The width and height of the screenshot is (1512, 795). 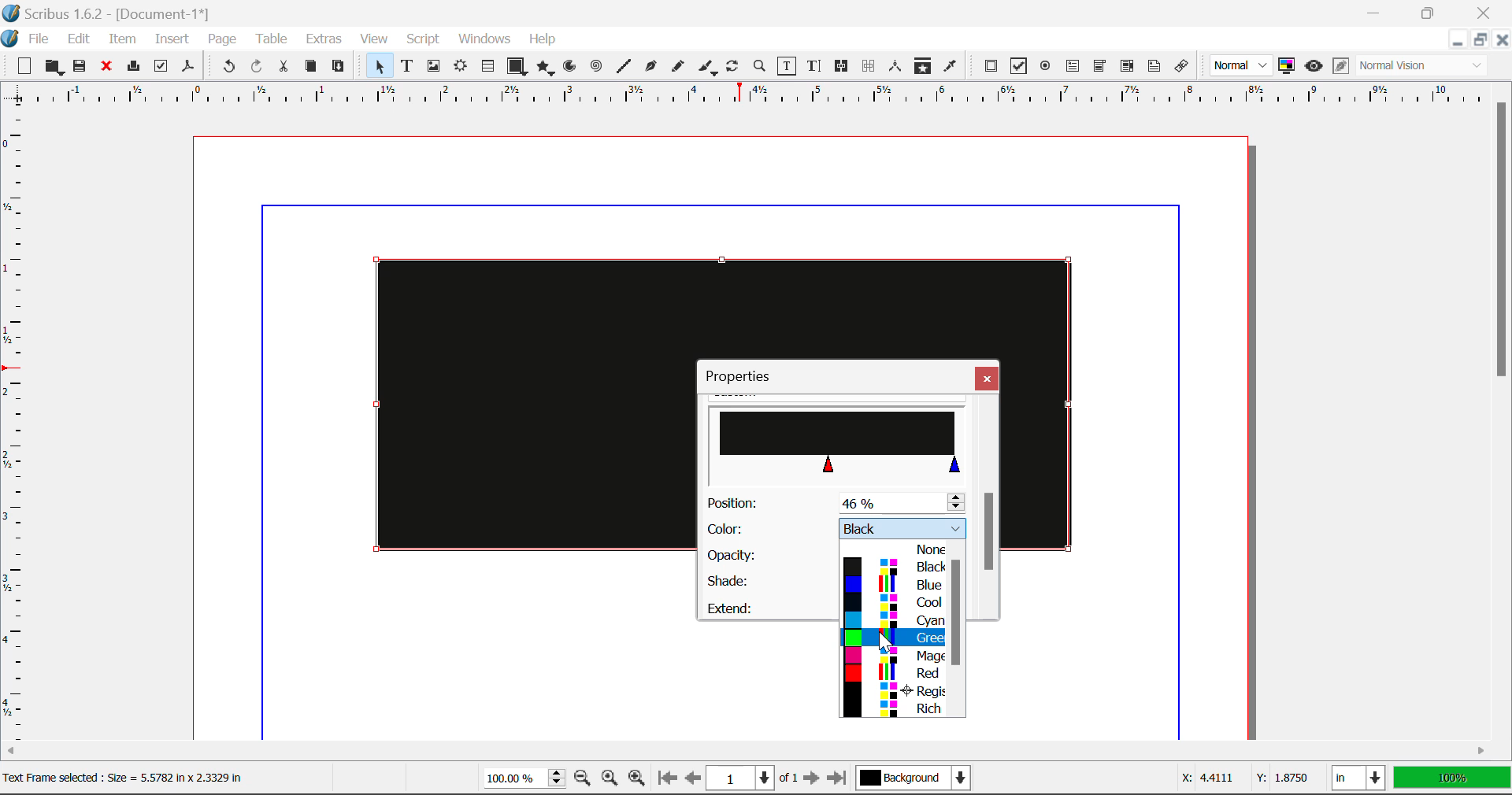 I want to click on Text Frames, so click(x=407, y=68).